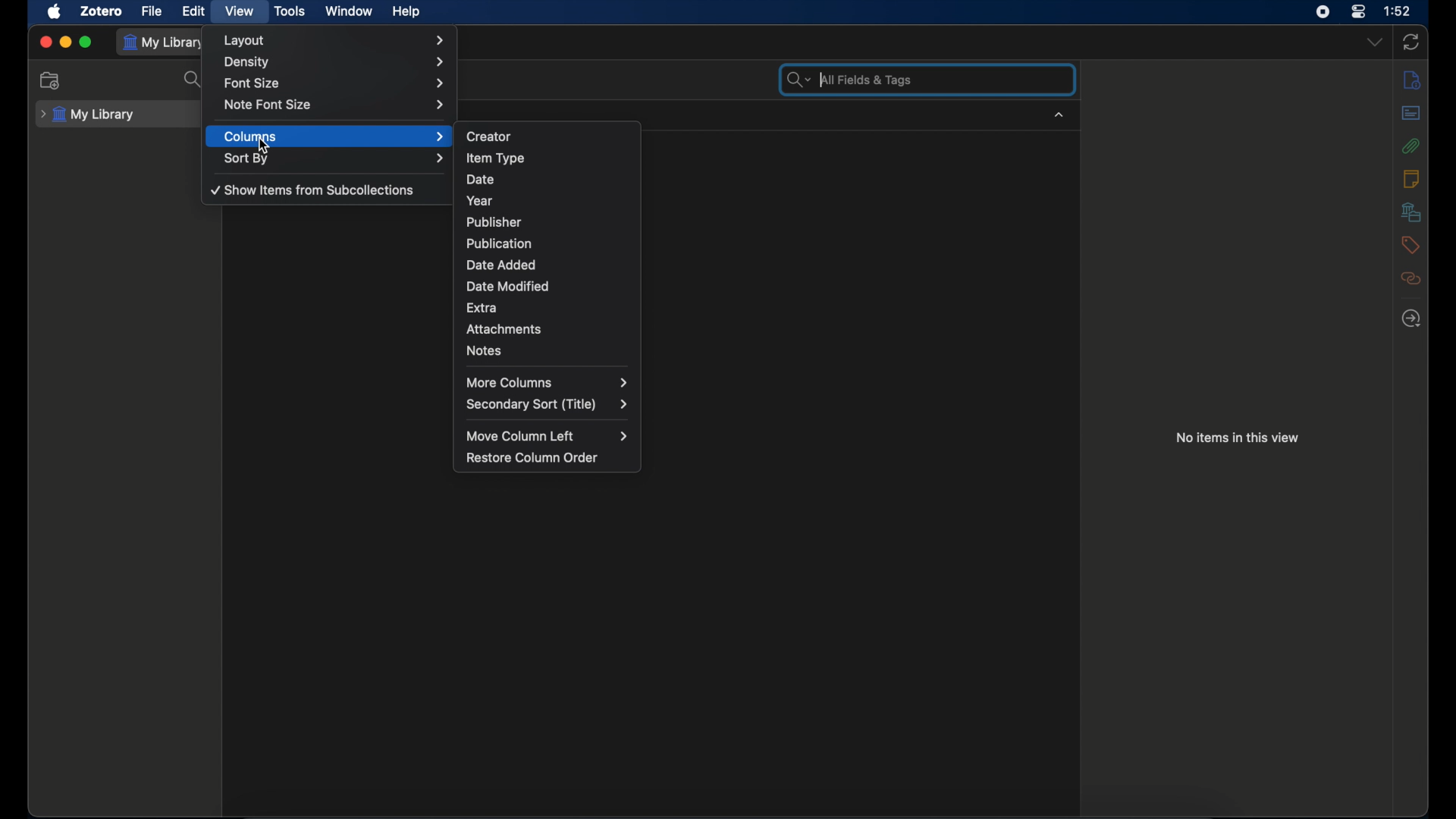 This screenshot has height=819, width=1456. What do you see at coordinates (490, 135) in the screenshot?
I see `creator` at bounding box center [490, 135].